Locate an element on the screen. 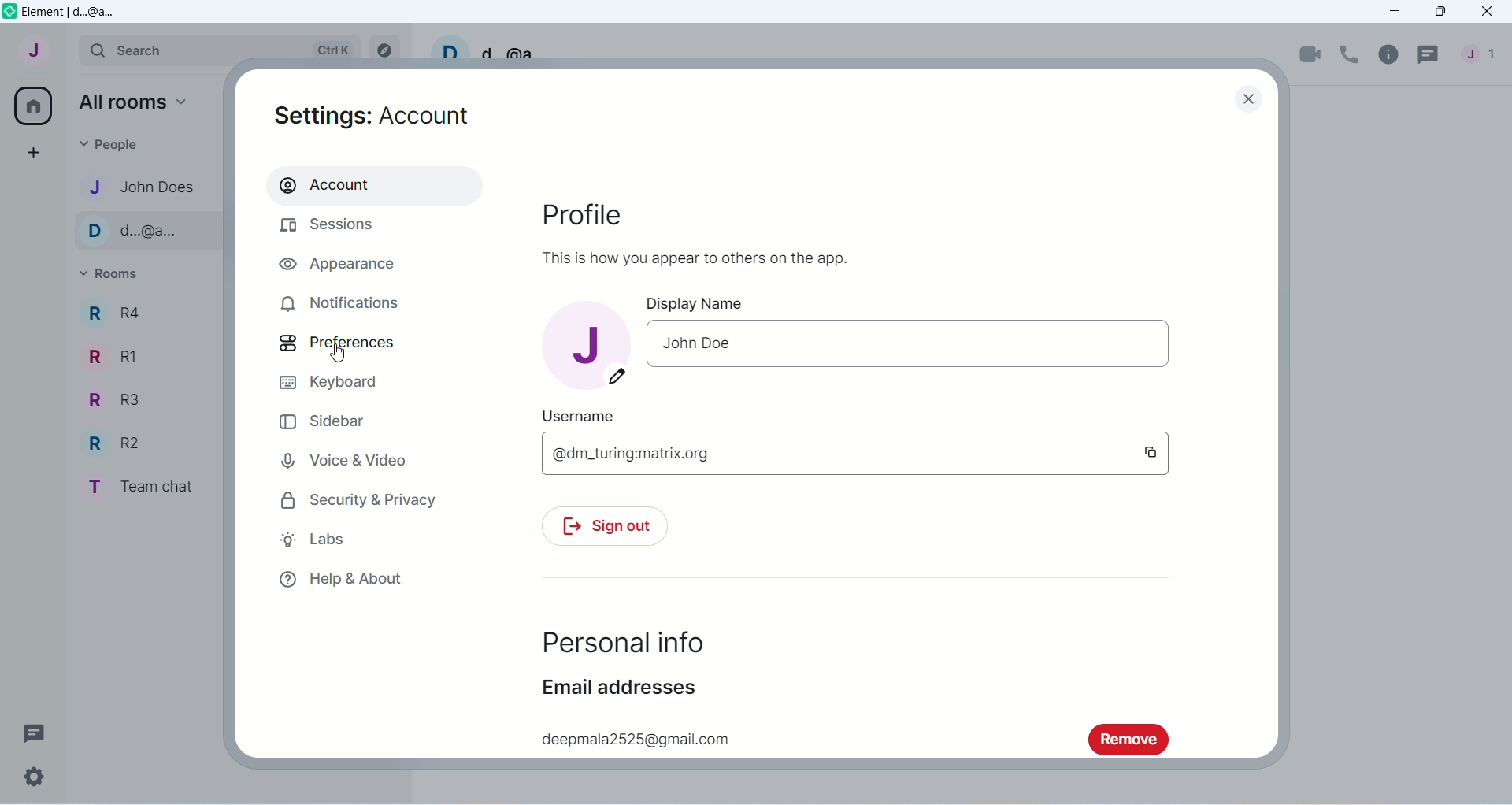  Sign out  is located at coordinates (606, 526).